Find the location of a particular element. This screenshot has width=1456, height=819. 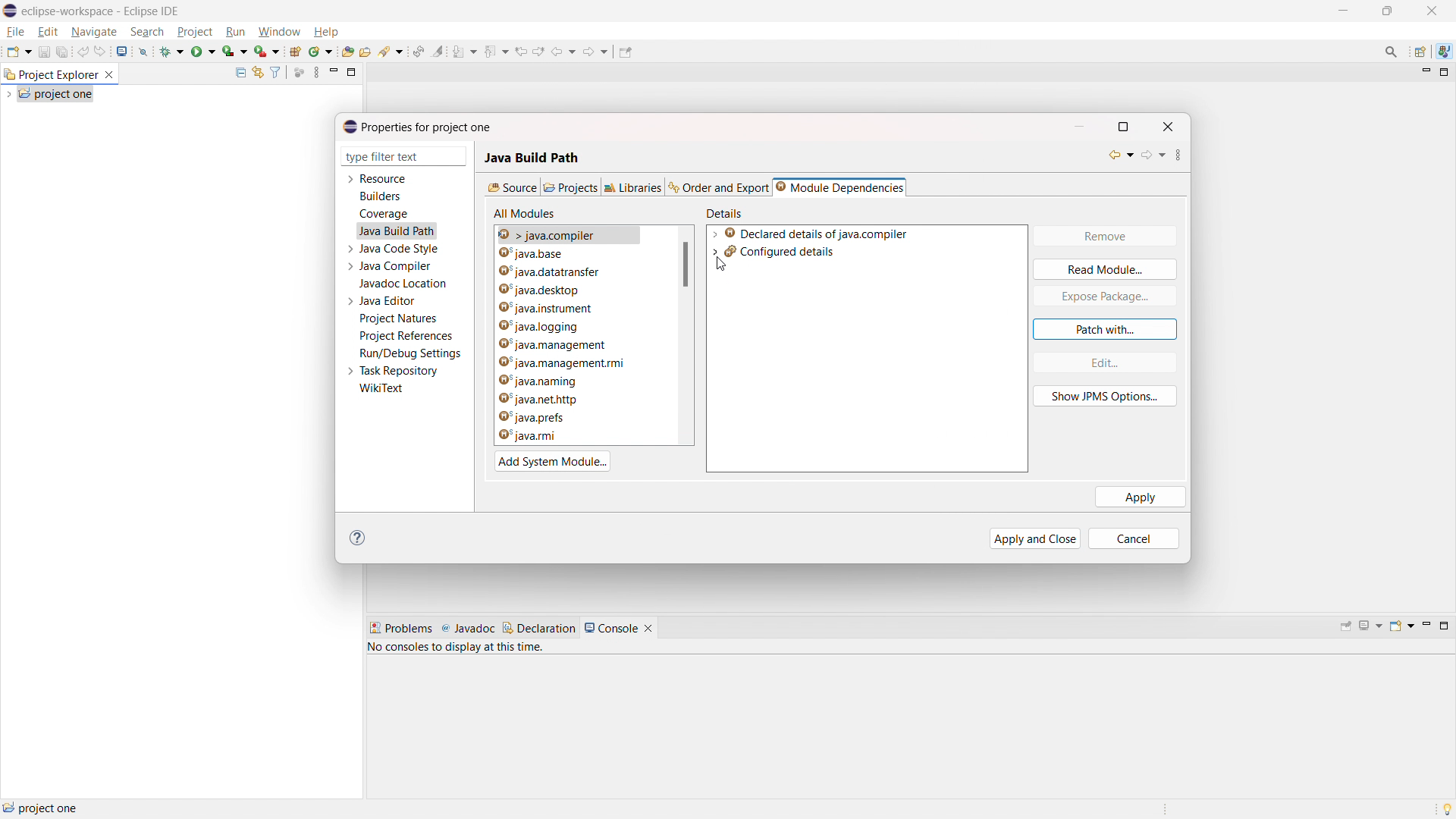

order and export is located at coordinates (720, 187).